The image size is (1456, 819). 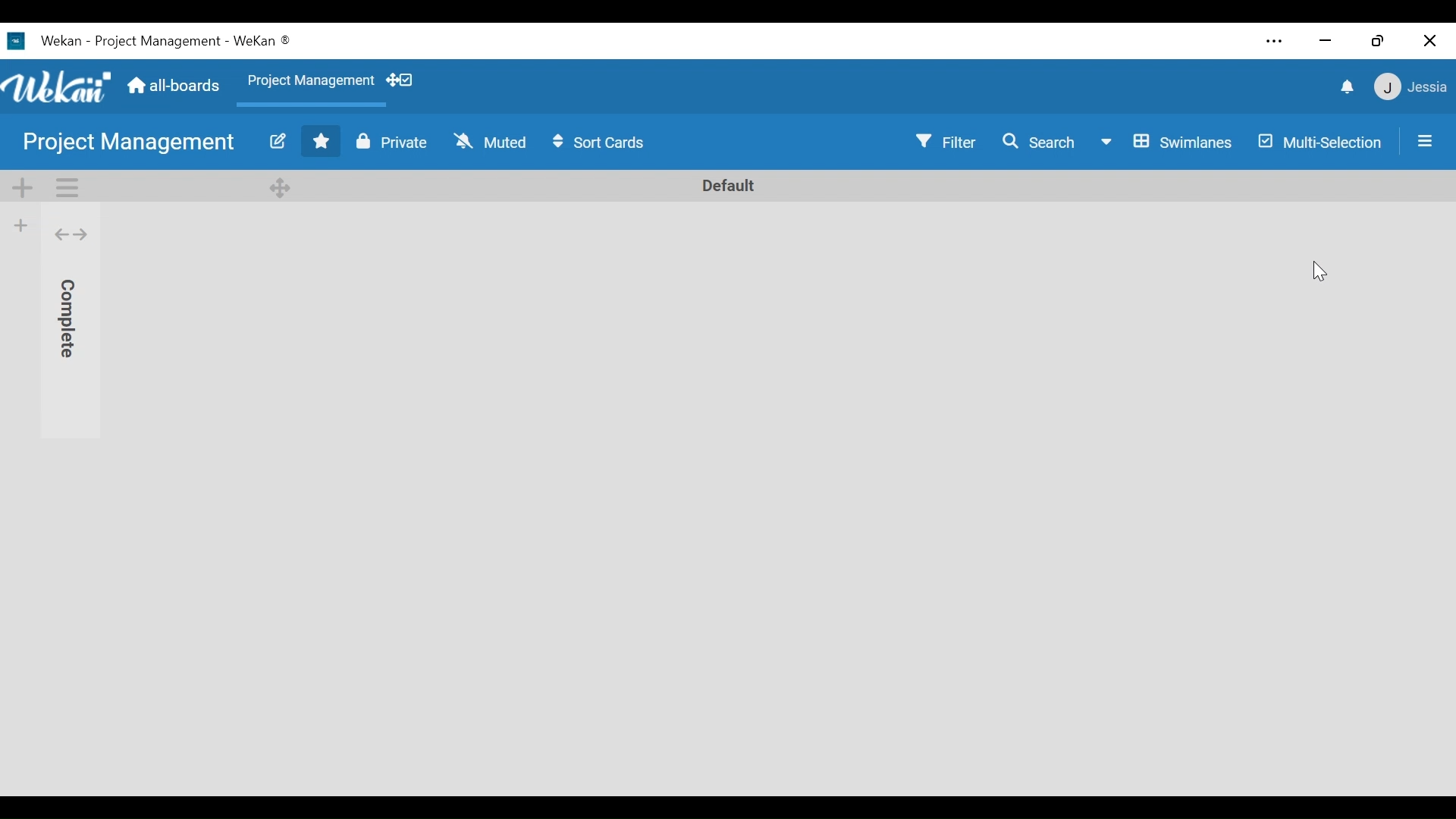 I want to click on Sort Cards, so click(x=602, y=143).